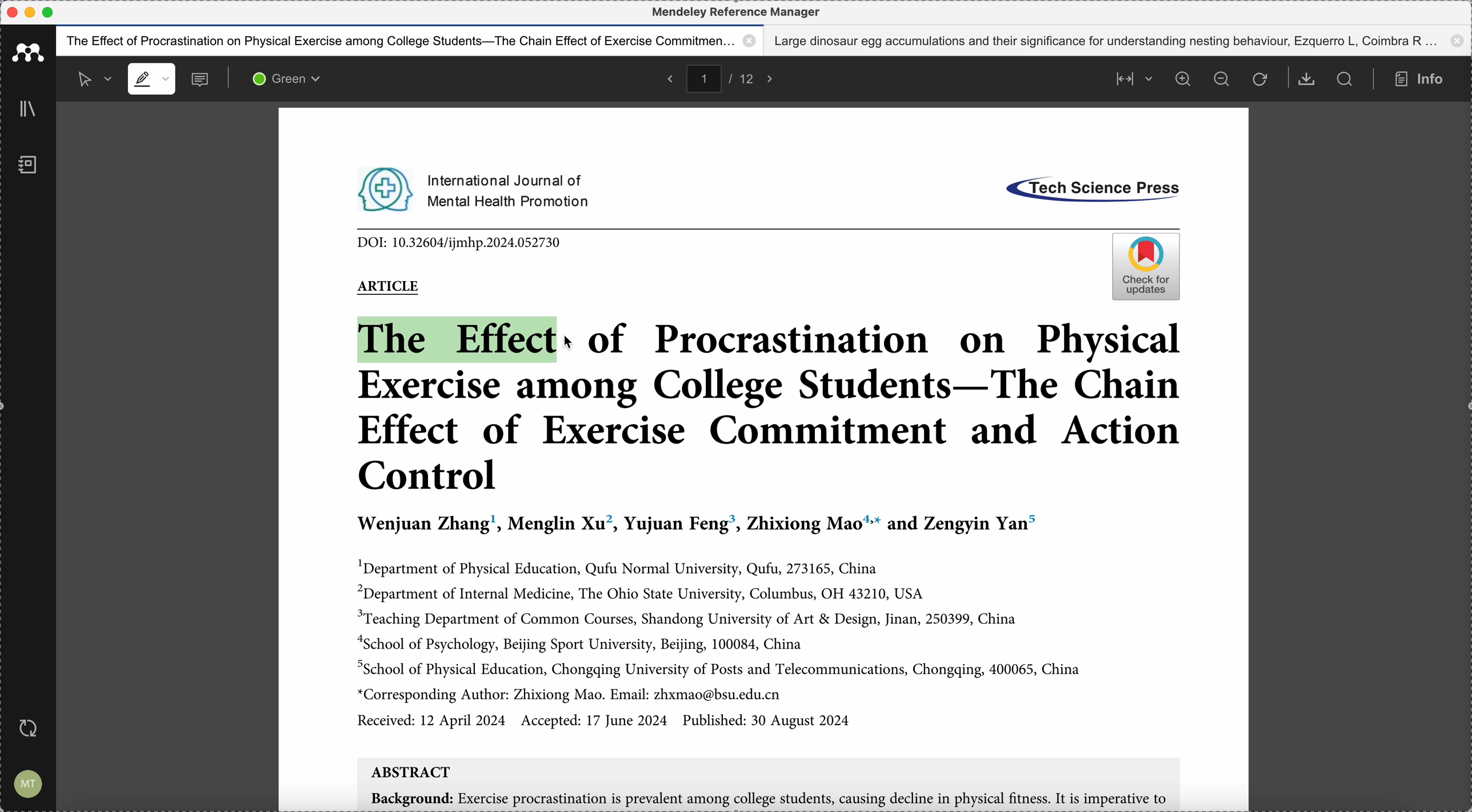  I want to click on comments, so click(202, 81).